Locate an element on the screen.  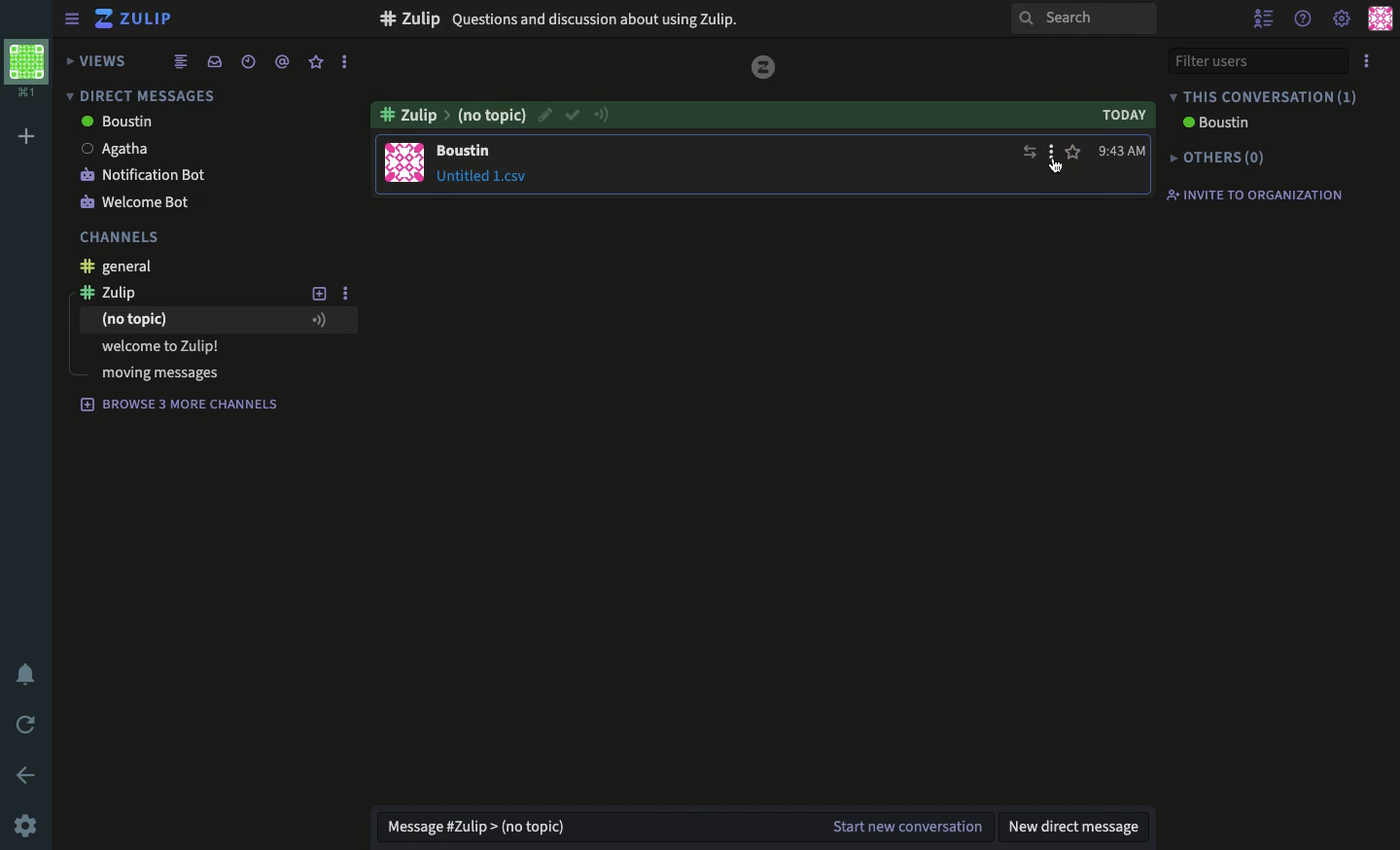
connection is located at coordinates (607, 116).